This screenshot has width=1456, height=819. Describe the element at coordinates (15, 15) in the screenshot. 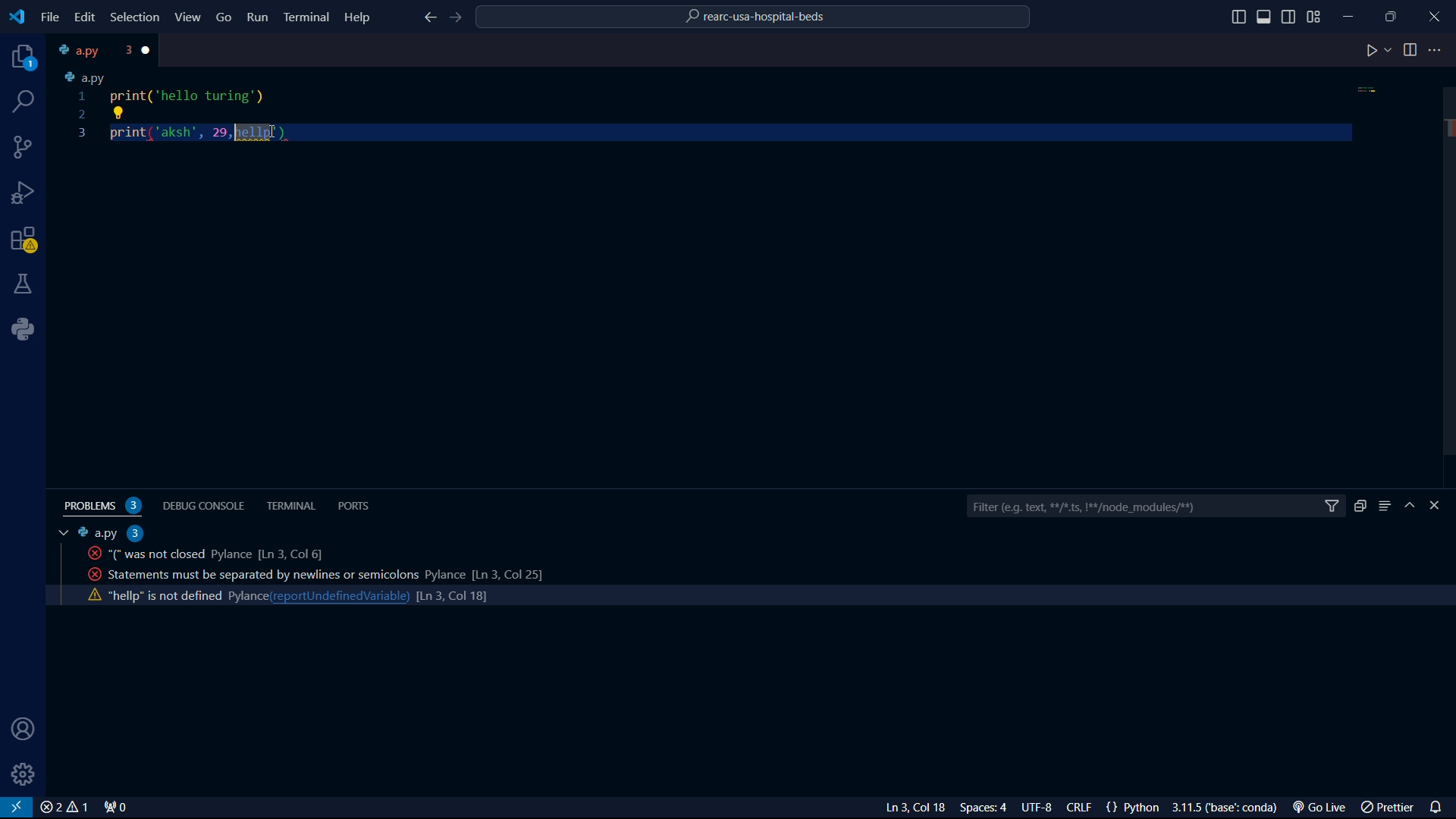

I see `VS Code logo` at that location.